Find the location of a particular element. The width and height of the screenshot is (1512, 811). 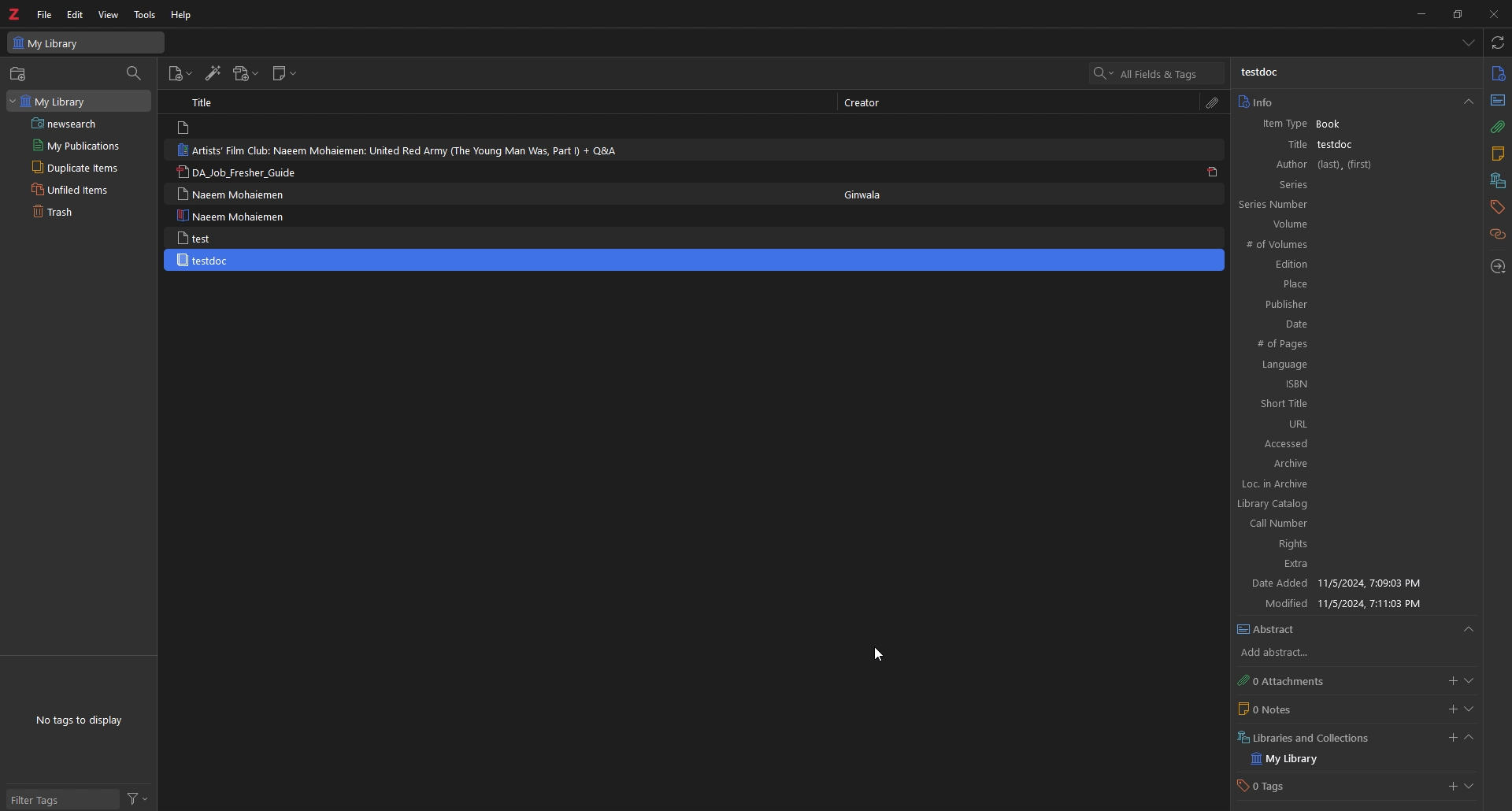

testdoc is located at coordinates (1262, 72).